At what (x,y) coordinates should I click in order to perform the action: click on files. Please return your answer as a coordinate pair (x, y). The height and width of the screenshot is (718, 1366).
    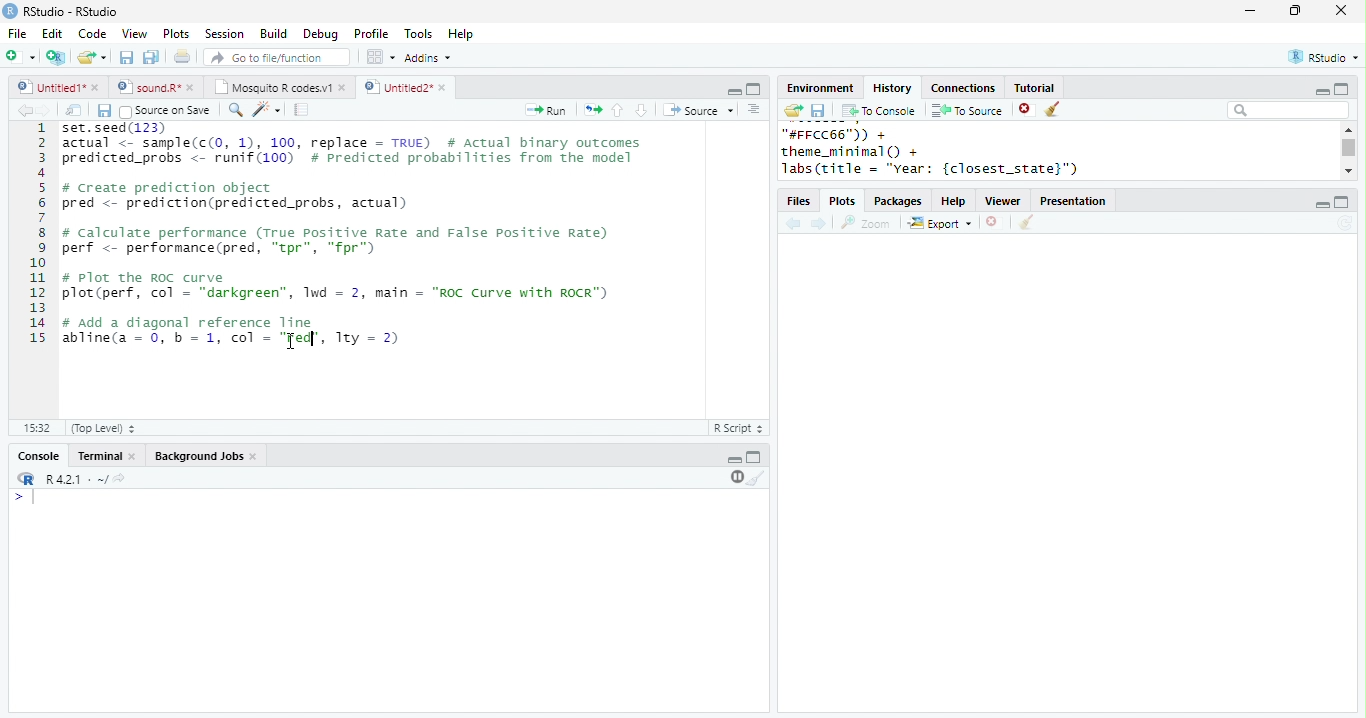
    Looking at the image, I should click on (800, 202).